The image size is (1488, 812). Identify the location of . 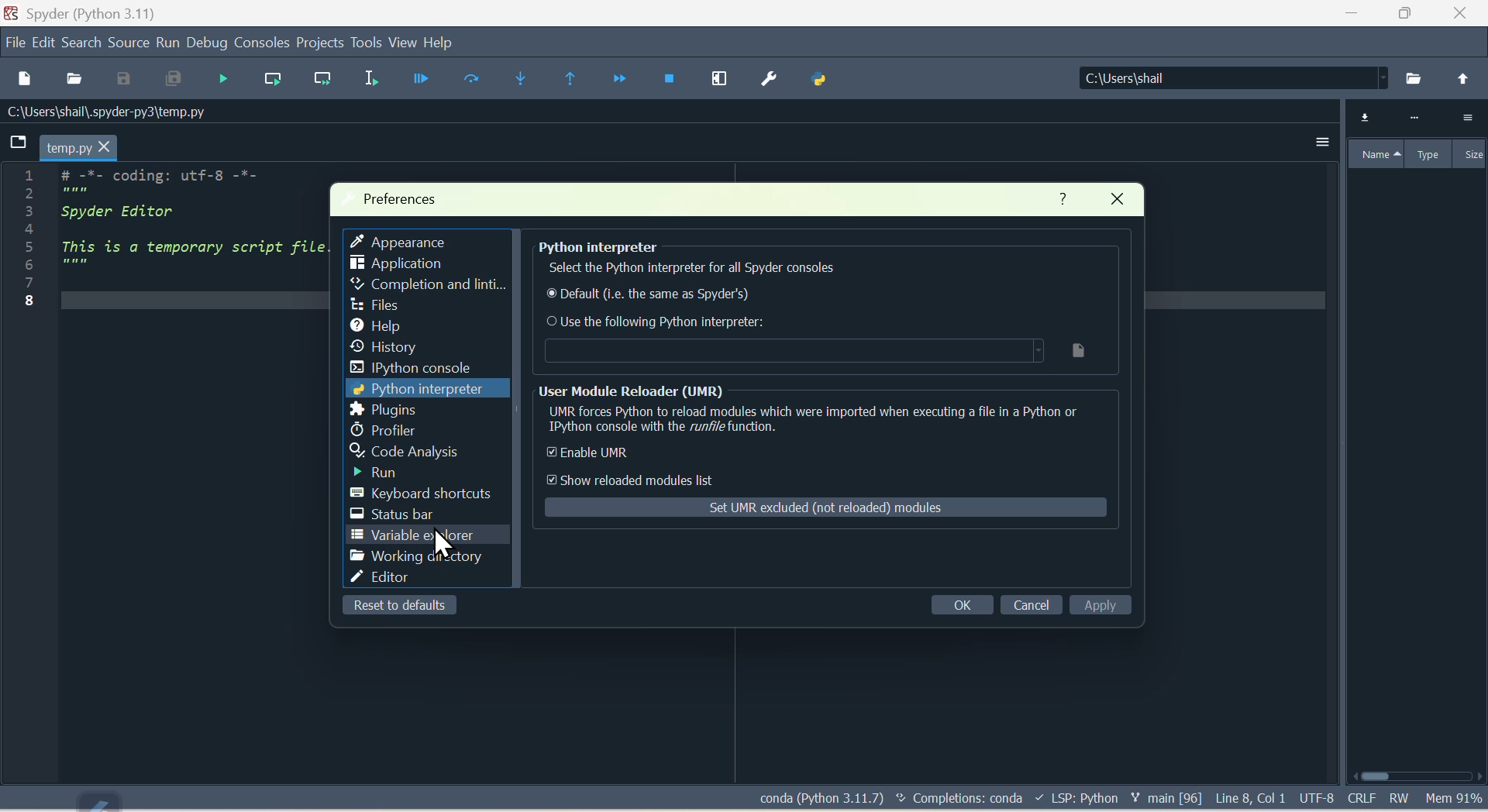
(45, 40).